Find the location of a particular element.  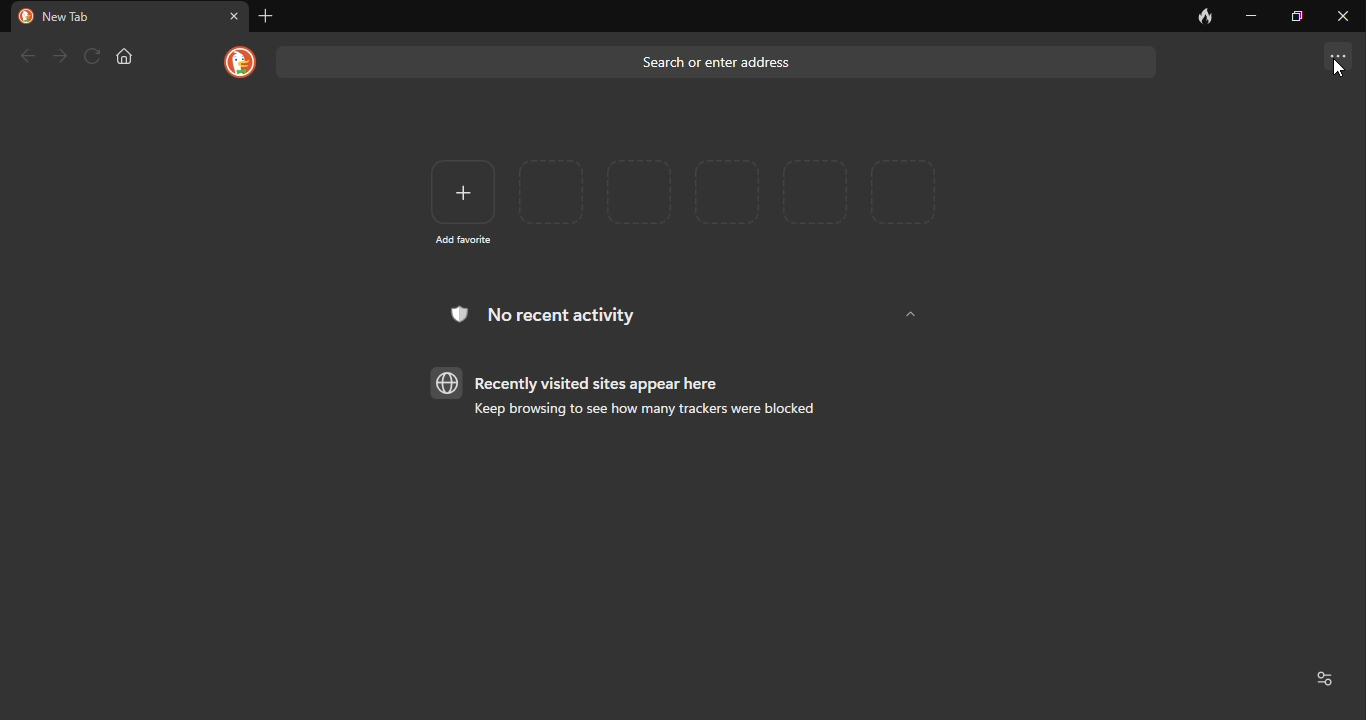

search or enter address is located at coordinates (717, 61).